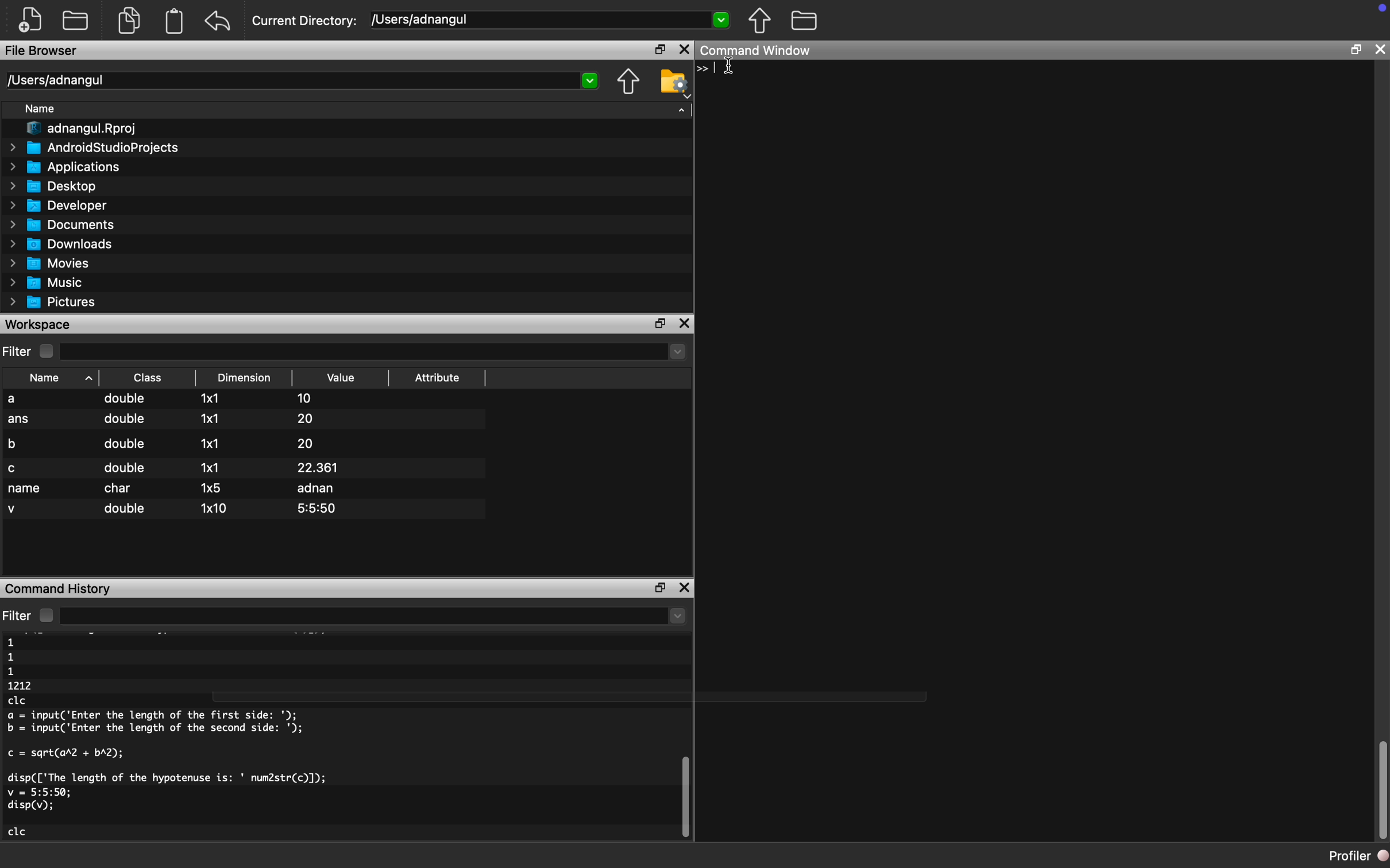 The height and width of the screenshot is (868, 1390). Describe the element at coordinates (47, 282) in the screenshot. I see `Music` at that location.